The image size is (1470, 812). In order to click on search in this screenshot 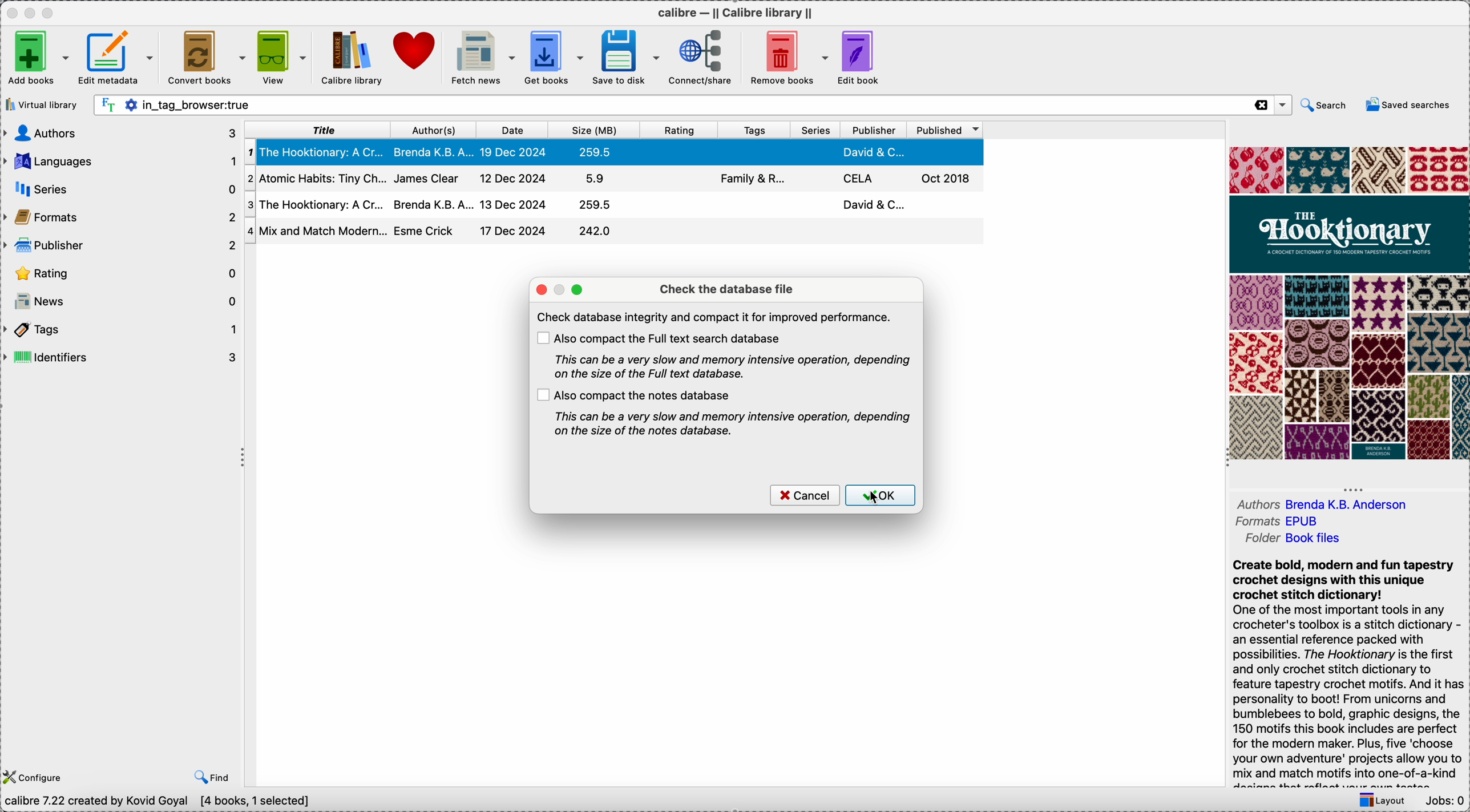, I will do `click(1326, 106)`.